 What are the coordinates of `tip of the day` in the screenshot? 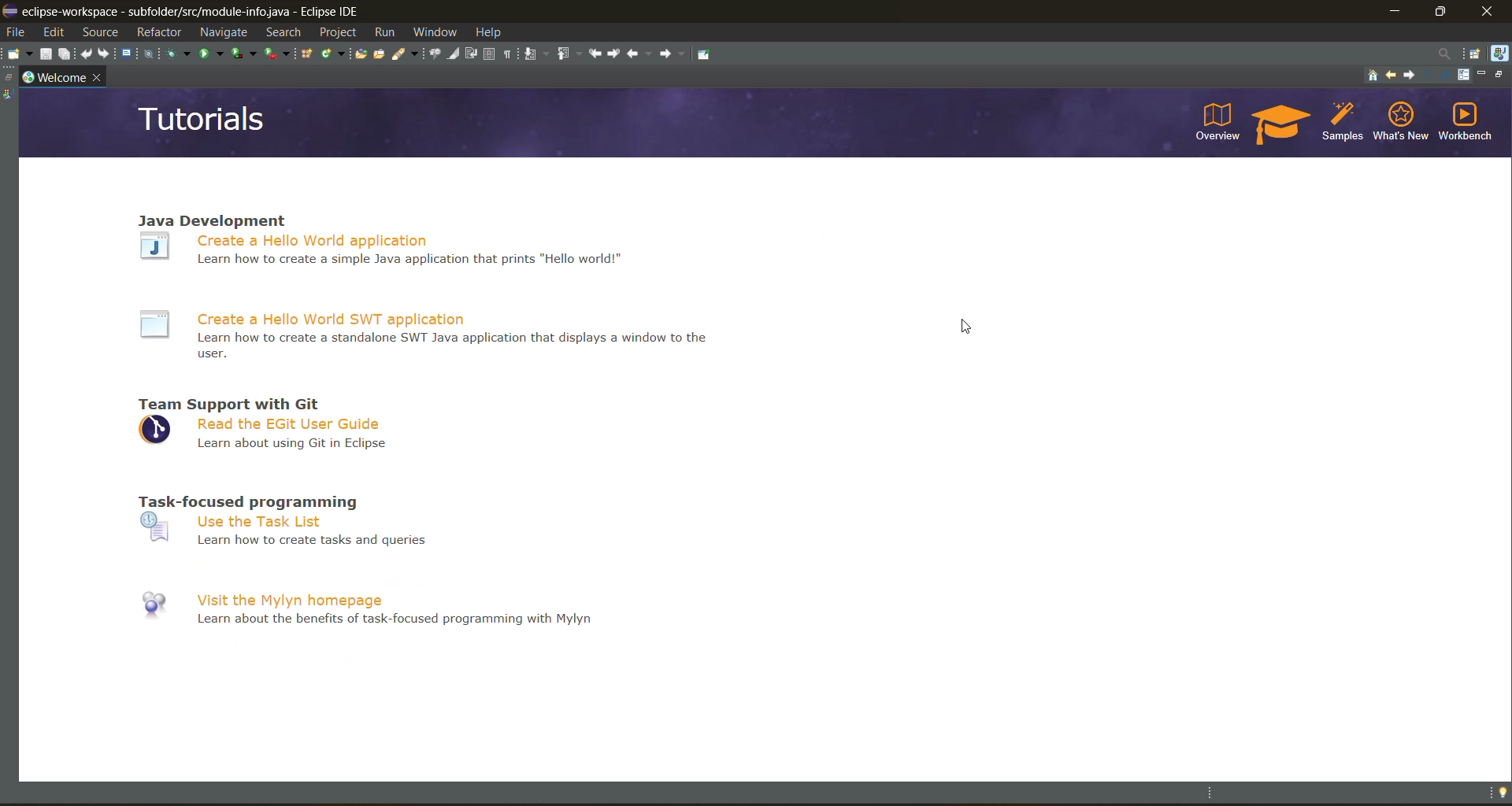 It's located at (1499, 793).